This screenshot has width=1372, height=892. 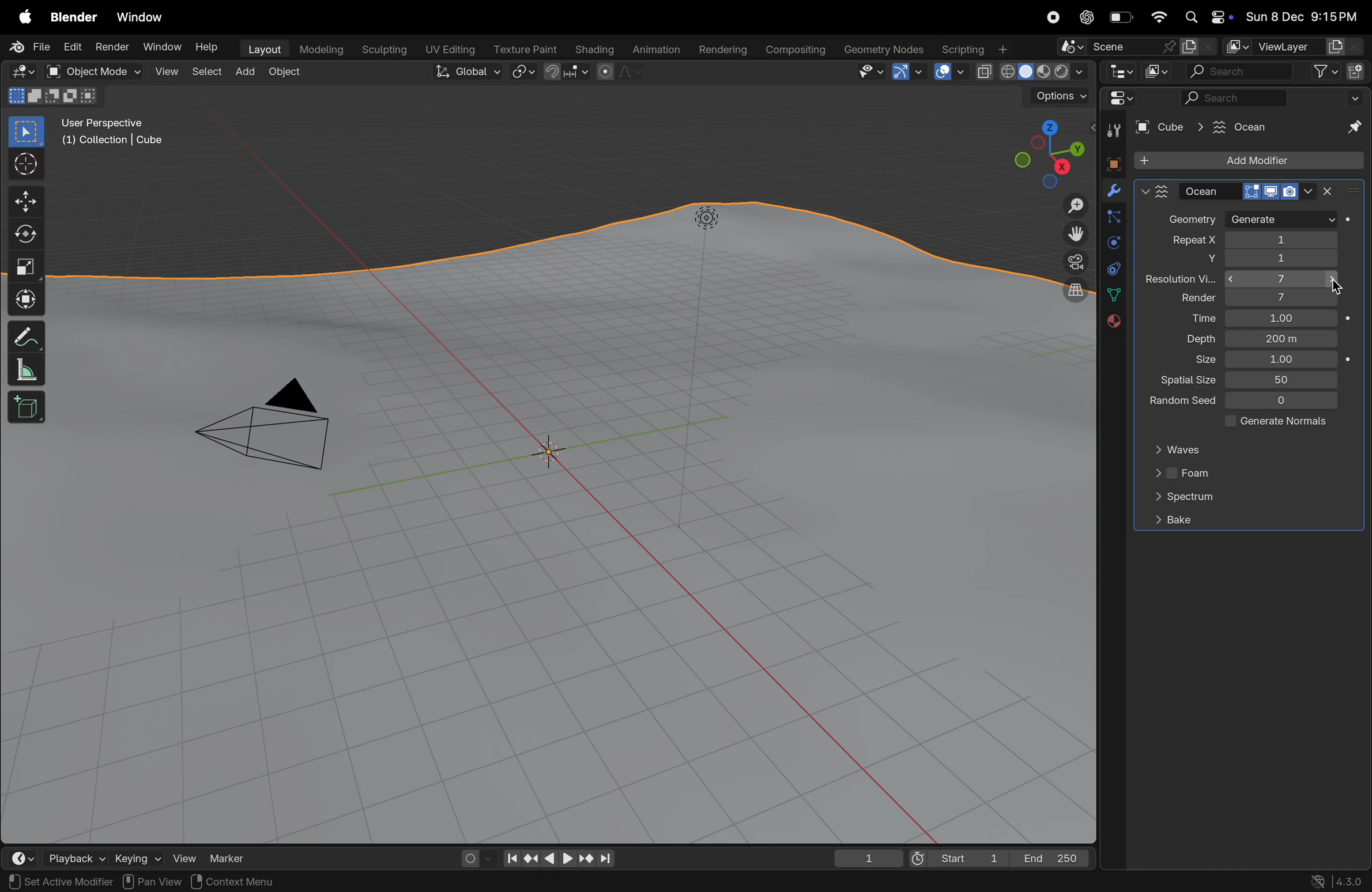 What do you see at coordinates (1177, 403) in the screenshot?
I see `random slesct` at bounding box center [1177, 403].